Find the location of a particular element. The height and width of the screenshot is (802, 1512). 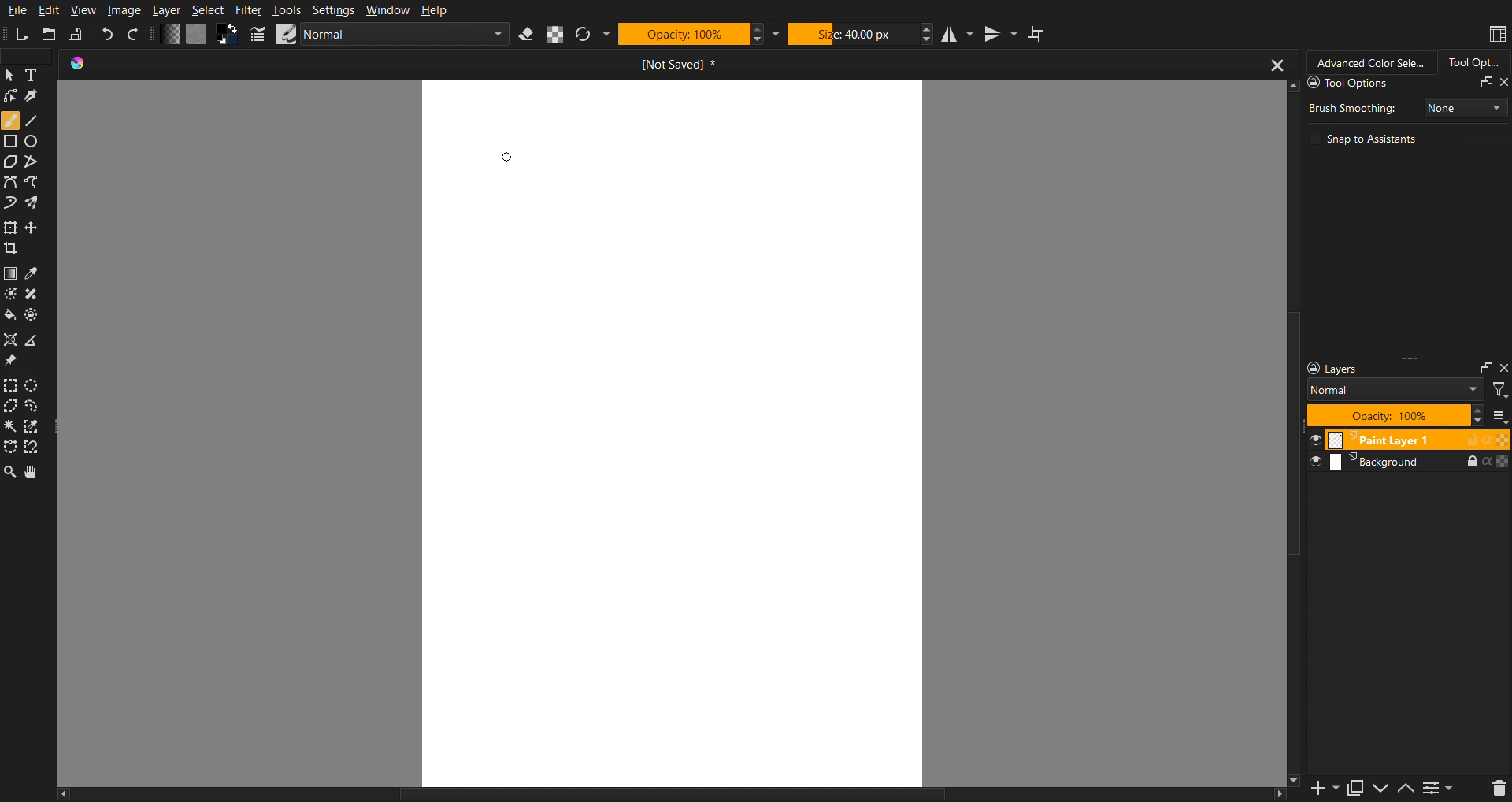

Zoom is located at coordinates (11, 472).